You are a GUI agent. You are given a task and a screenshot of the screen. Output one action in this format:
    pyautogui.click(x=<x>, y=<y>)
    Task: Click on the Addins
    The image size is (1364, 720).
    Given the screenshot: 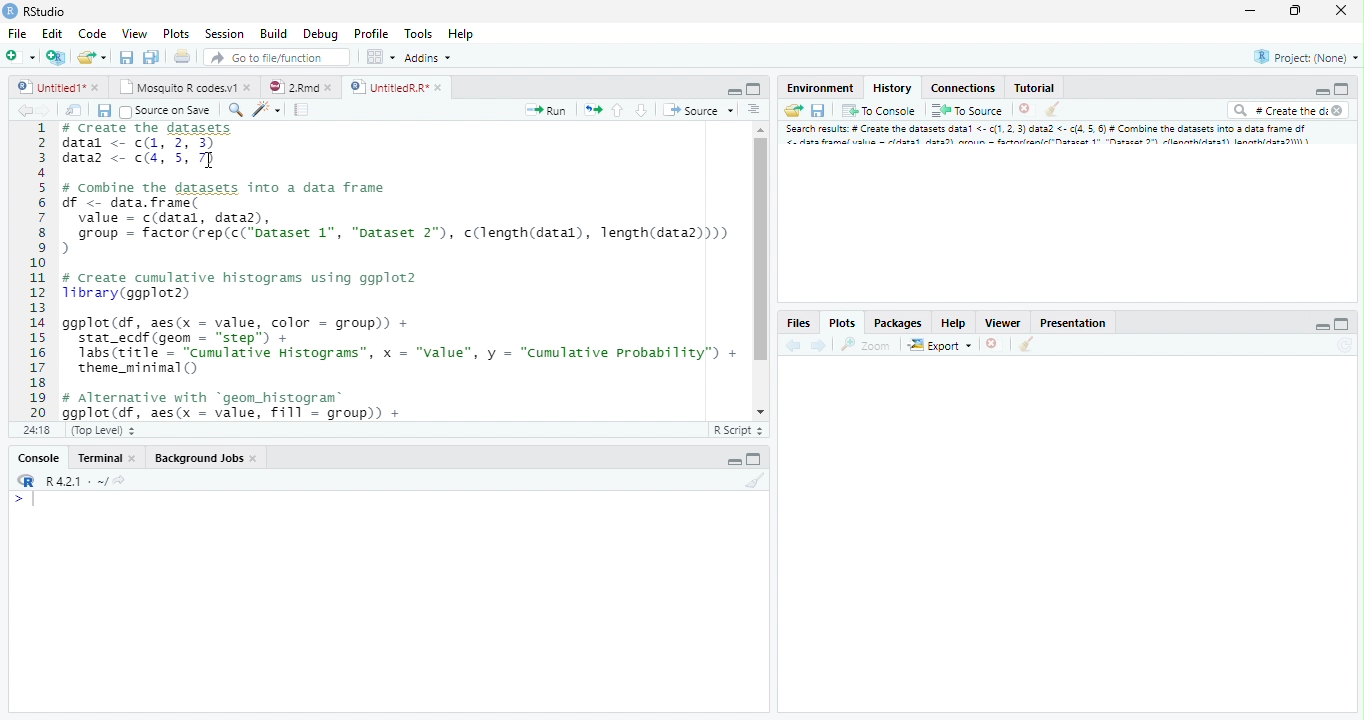 What is the action you would take?
    pyautogui.click(x=429, y=59)
    